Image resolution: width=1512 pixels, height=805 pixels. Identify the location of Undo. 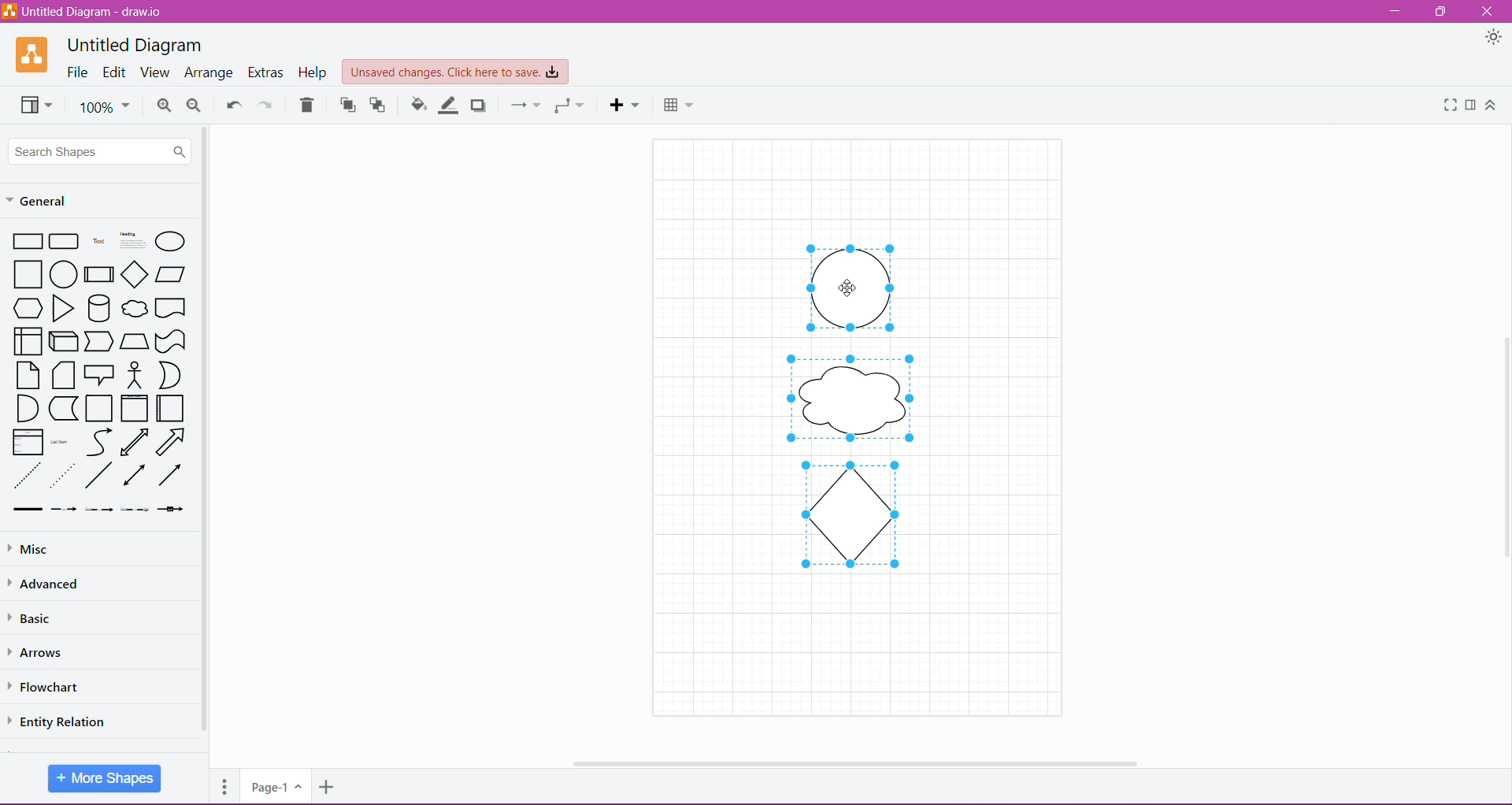
(232, 103).